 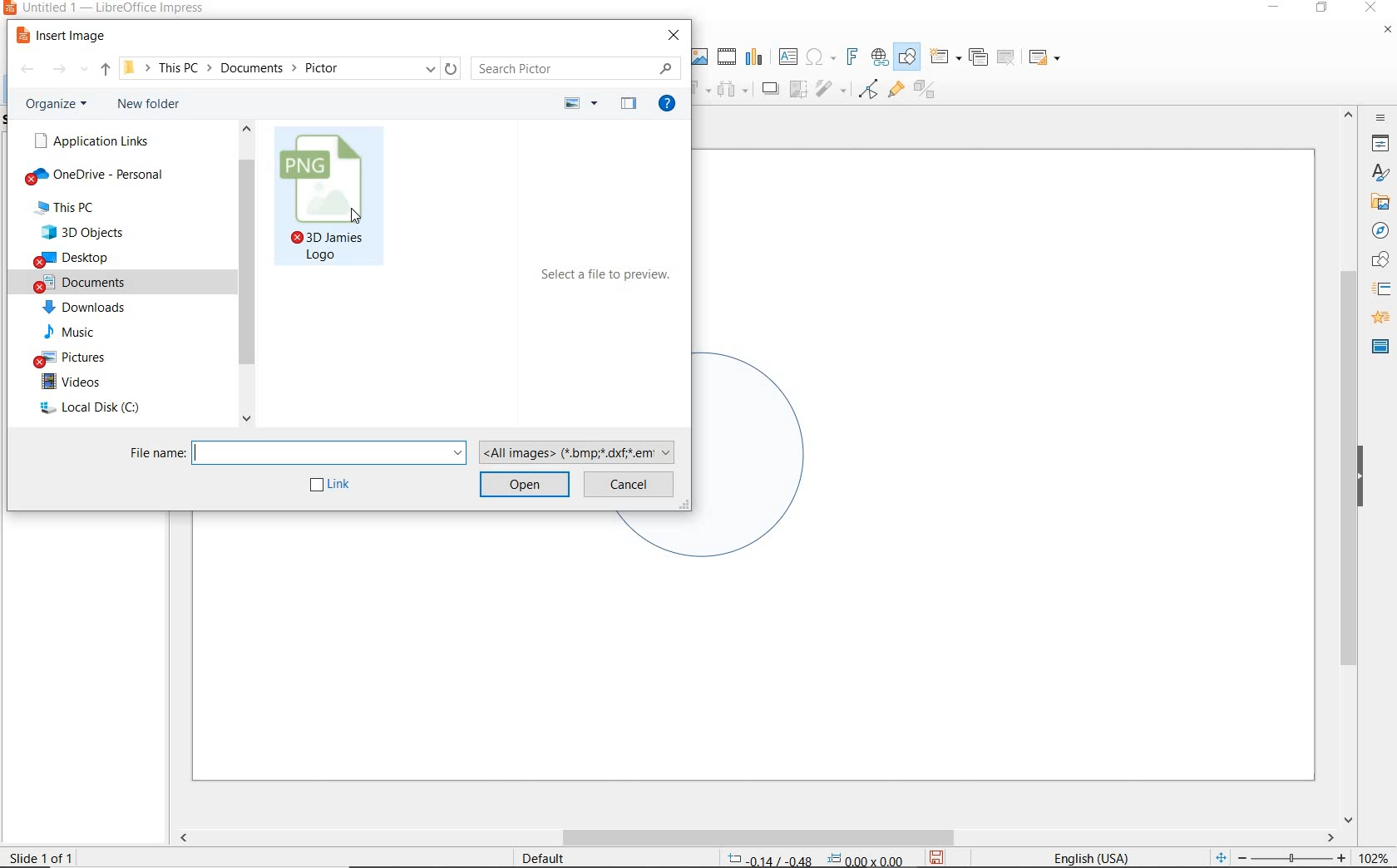 What do you see at coordinates (49, 854) in the screenshot?
I see `slide 1 of 1` at bounding box center [49, 854].